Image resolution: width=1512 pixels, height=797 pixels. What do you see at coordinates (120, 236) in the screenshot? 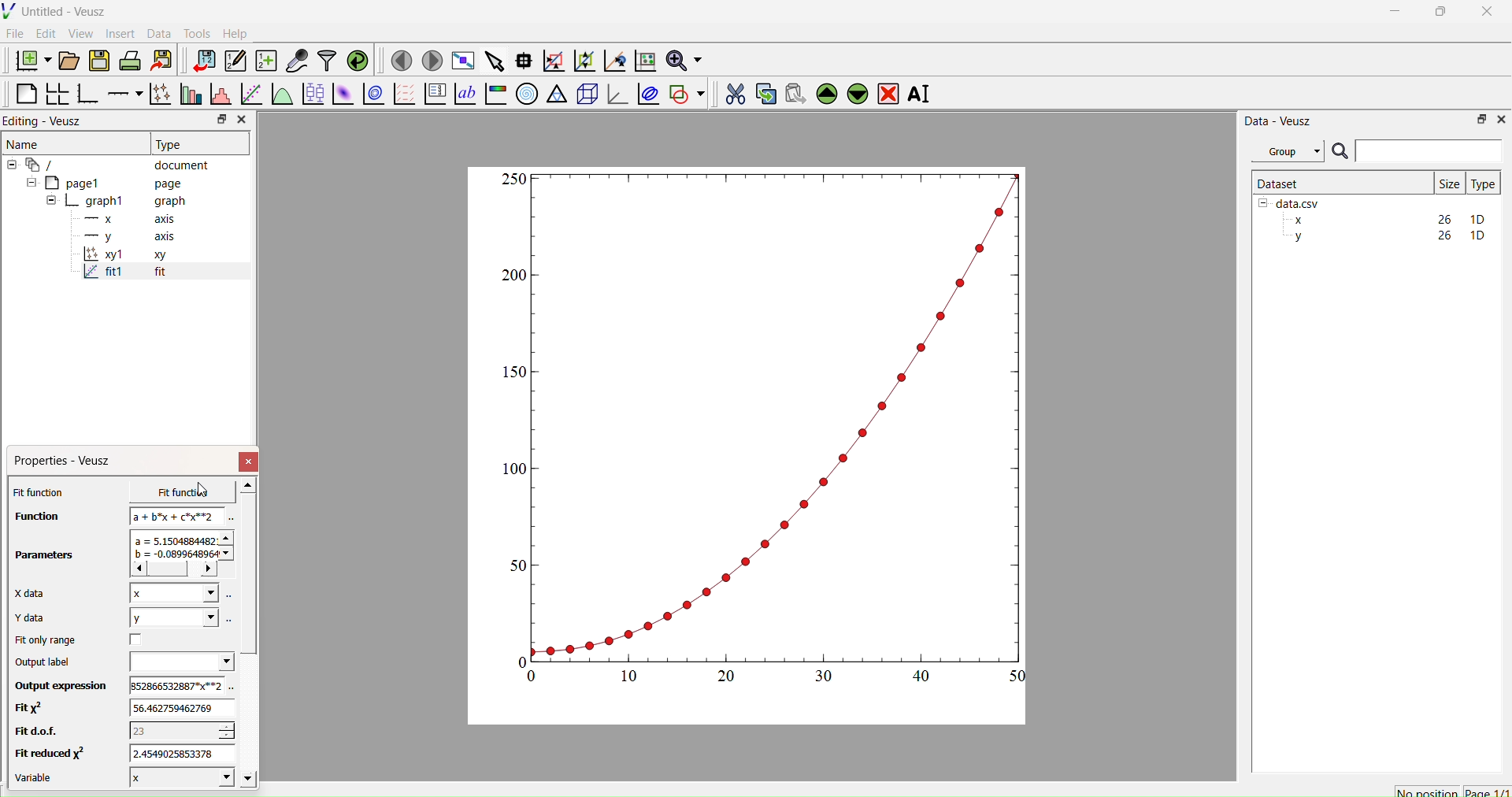
I see `y axis` at bounding box center [120, 236].